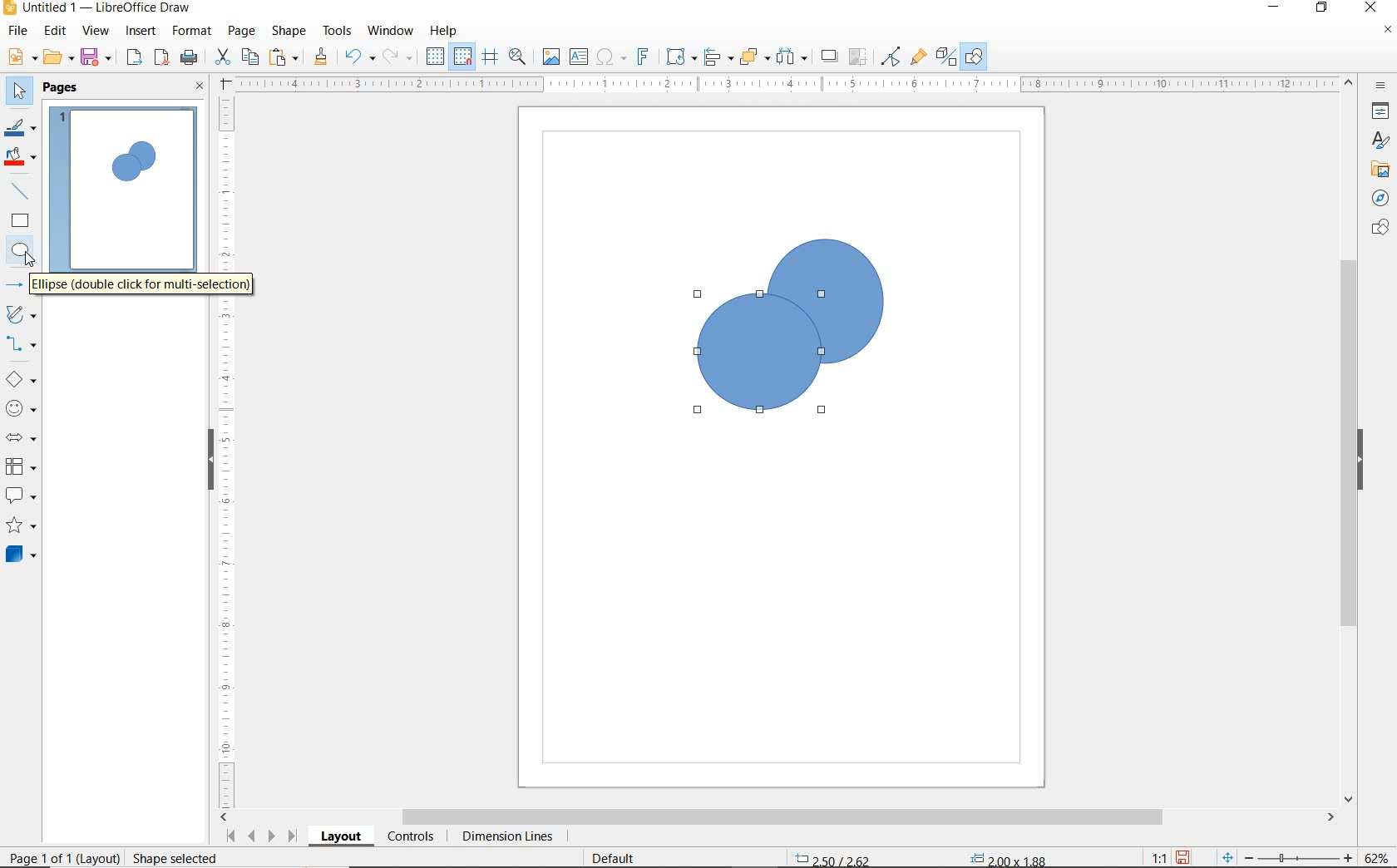 This screenshot has height=868, width=1397. What do you see at coordinates (1383, 114) in the screenshot?
I see `PROPERTIES` at bounding box center [1383, 114].